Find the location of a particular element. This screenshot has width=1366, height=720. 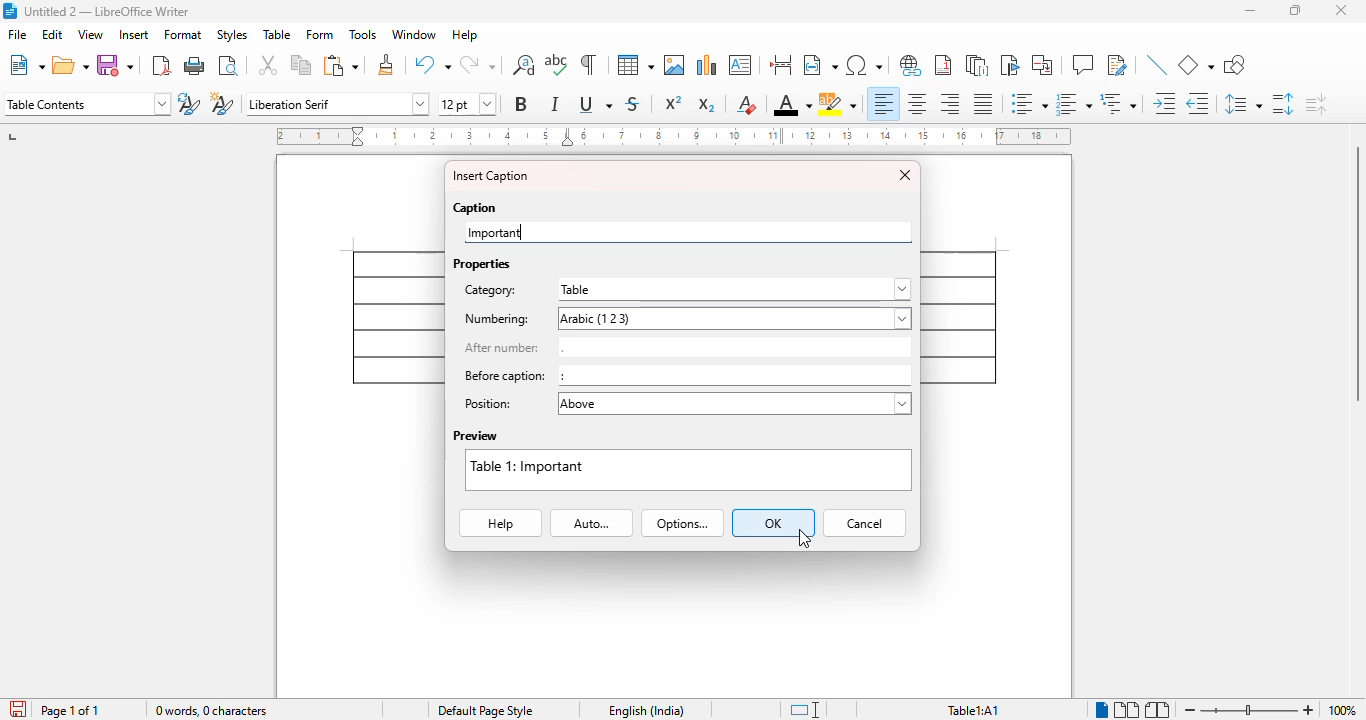

help is located at coordinates (500, 524).